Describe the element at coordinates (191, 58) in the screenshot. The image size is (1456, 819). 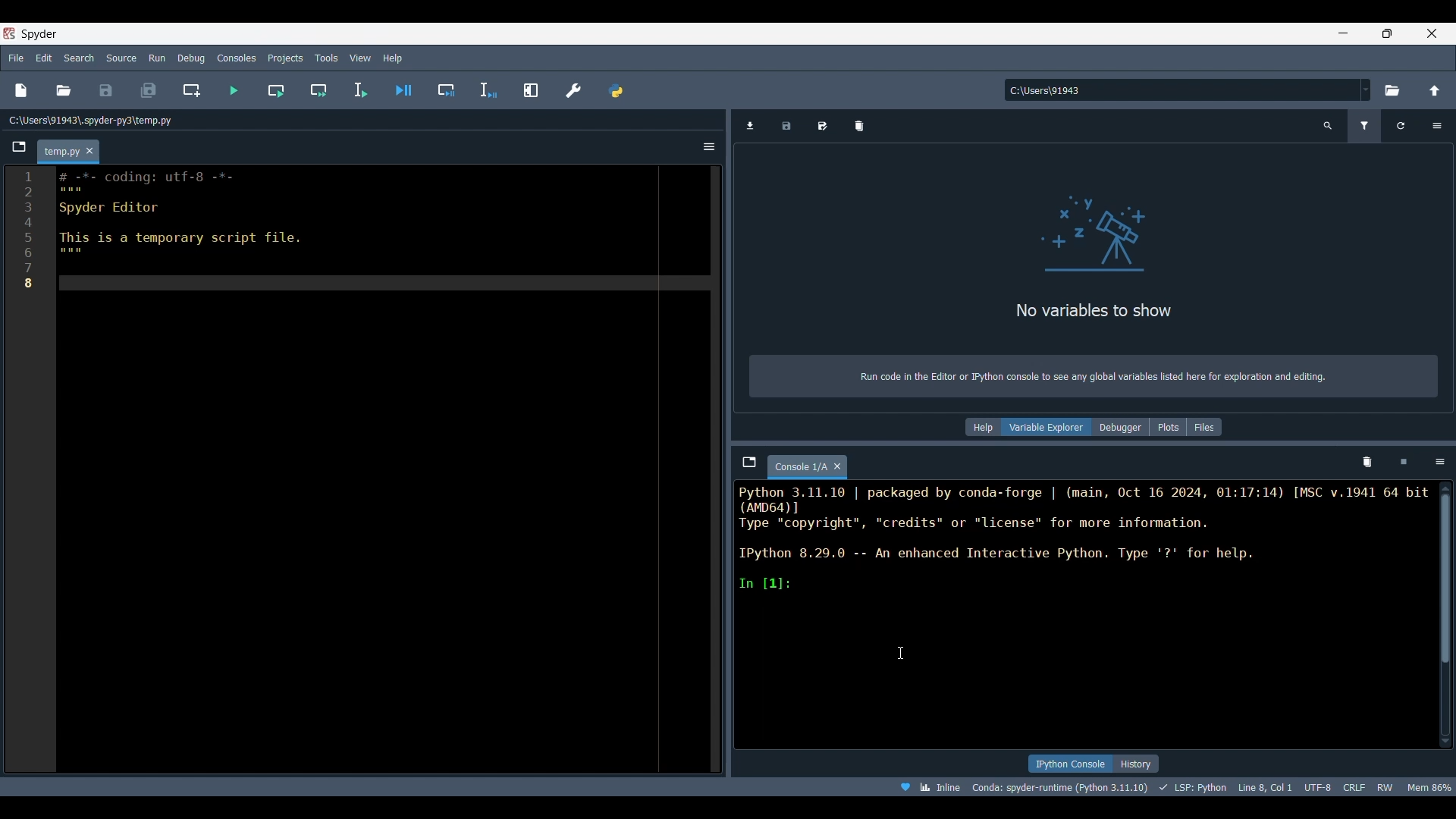
I see `Debug menu` at that location.